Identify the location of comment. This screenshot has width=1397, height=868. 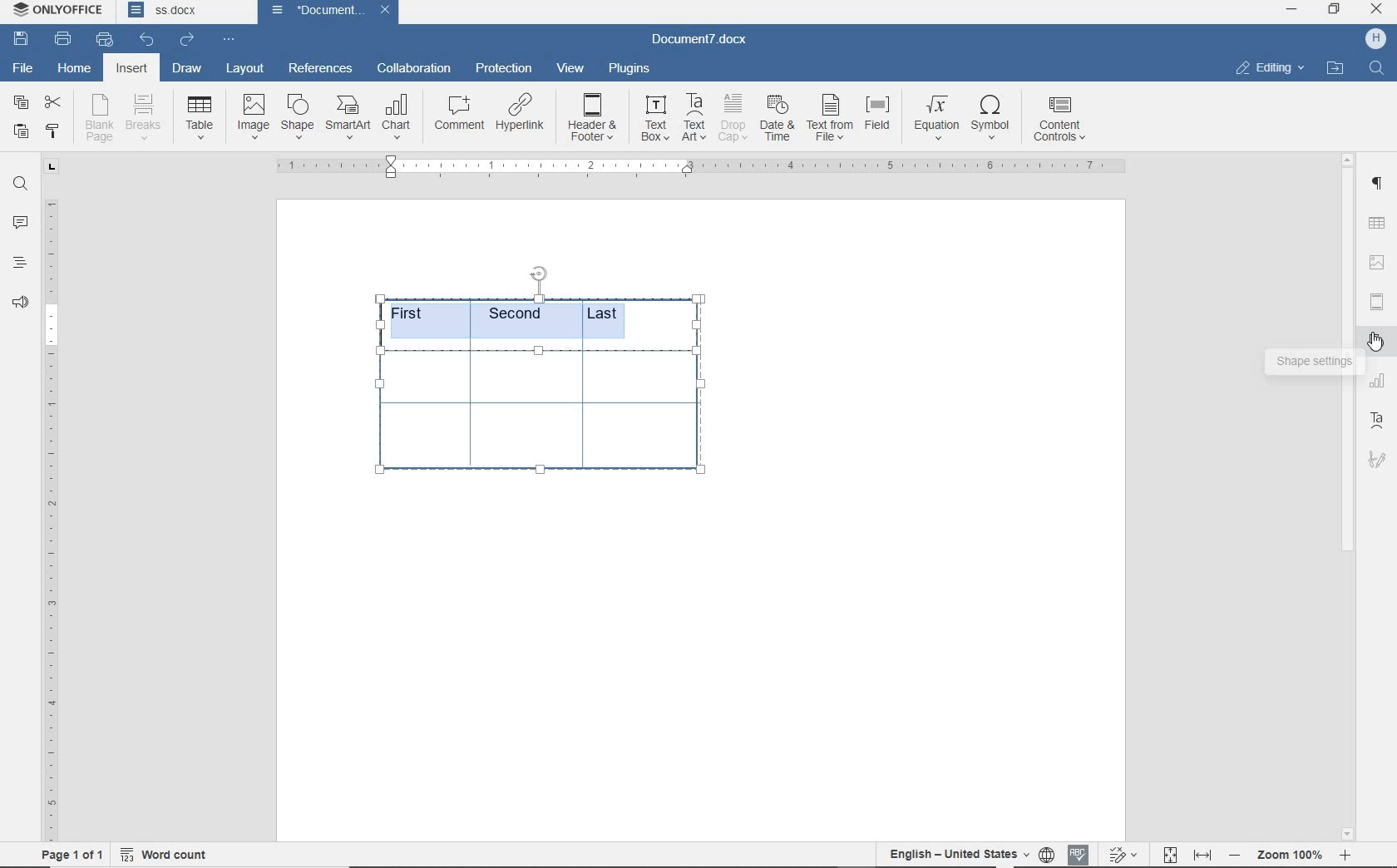
(458, 116).